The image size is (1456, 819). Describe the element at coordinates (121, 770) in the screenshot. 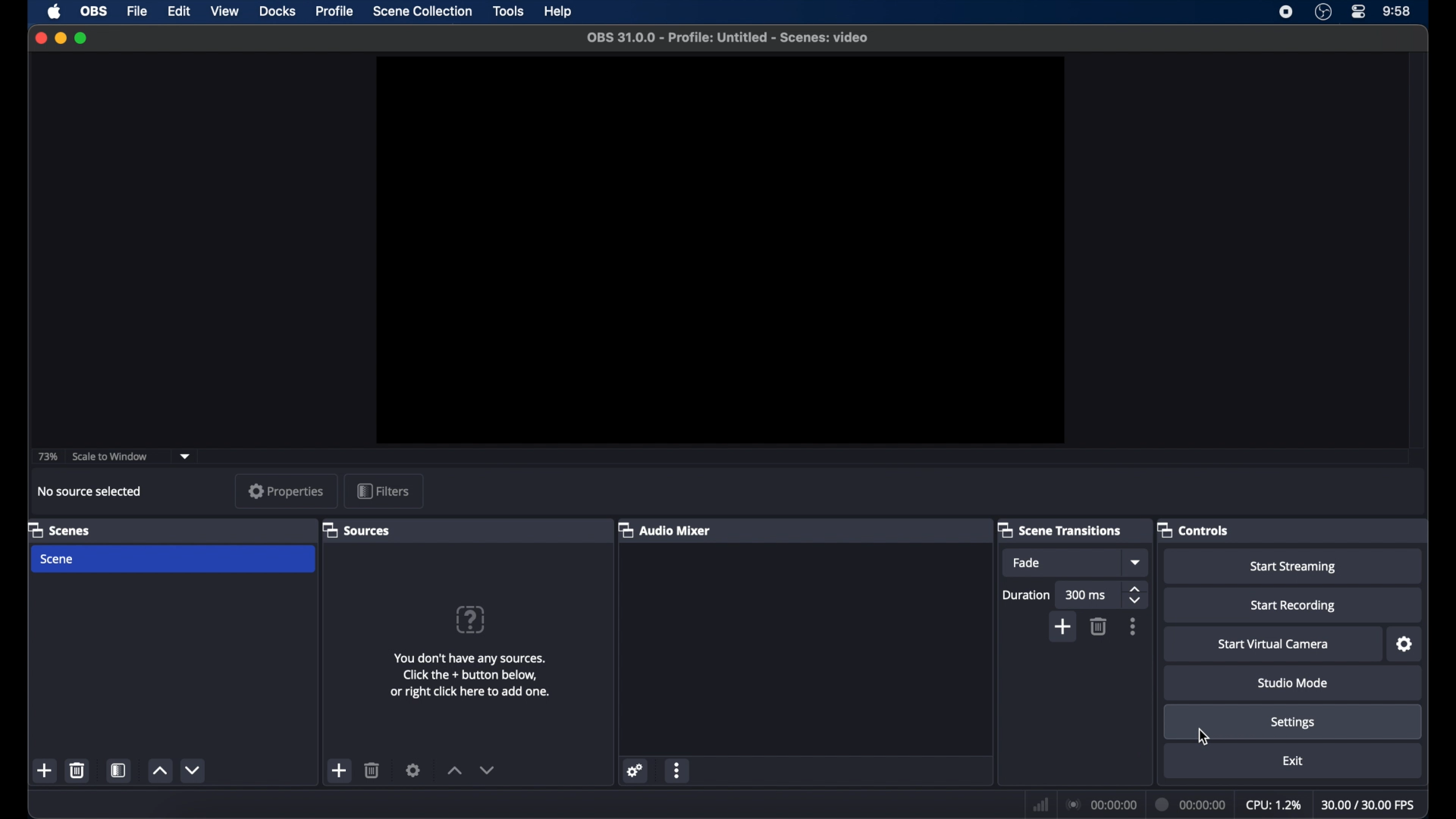

I see `scene filters` at that location.